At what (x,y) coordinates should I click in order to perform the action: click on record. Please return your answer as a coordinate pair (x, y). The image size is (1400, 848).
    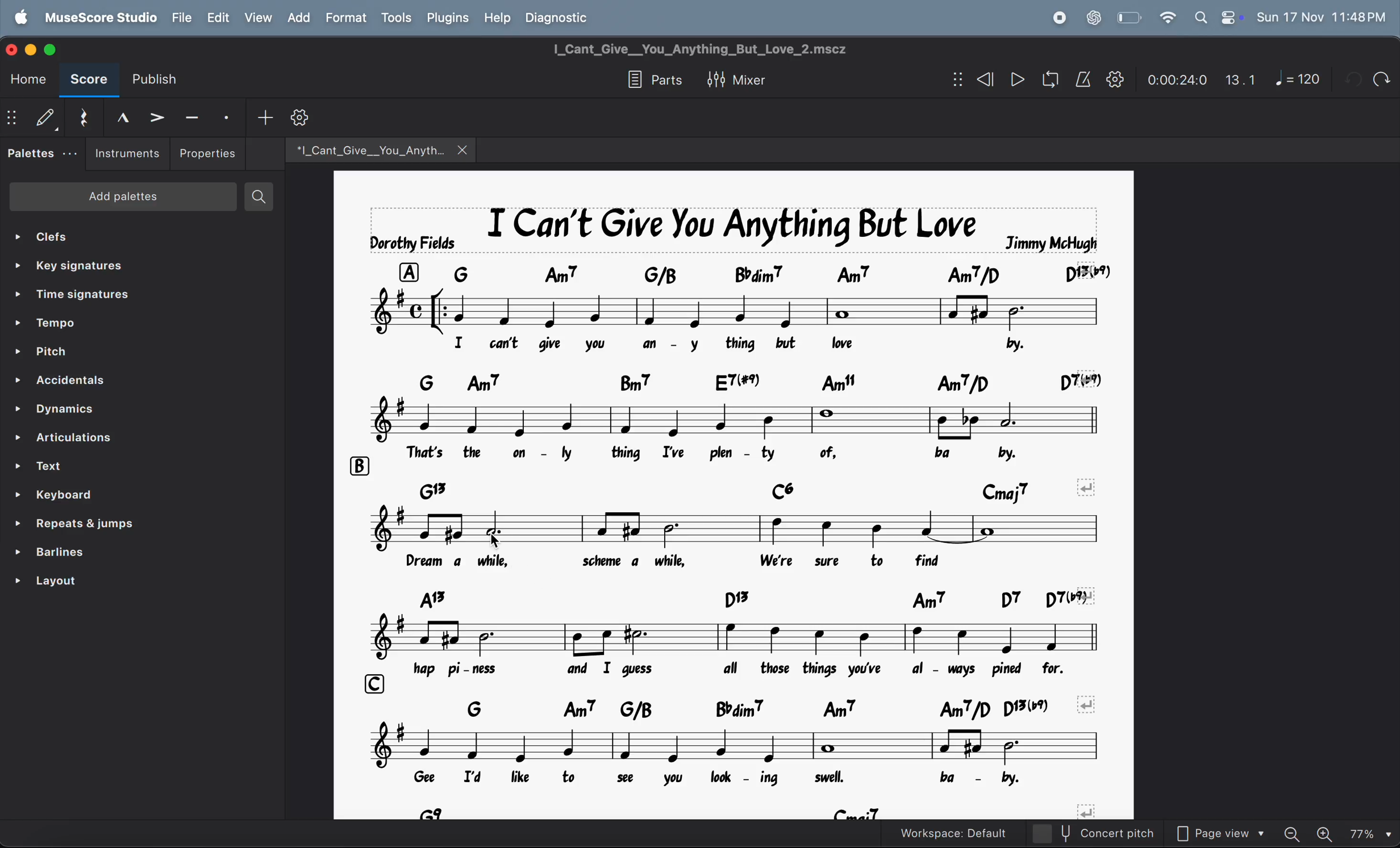
    Looking at the image, I should click on (1058, 19).